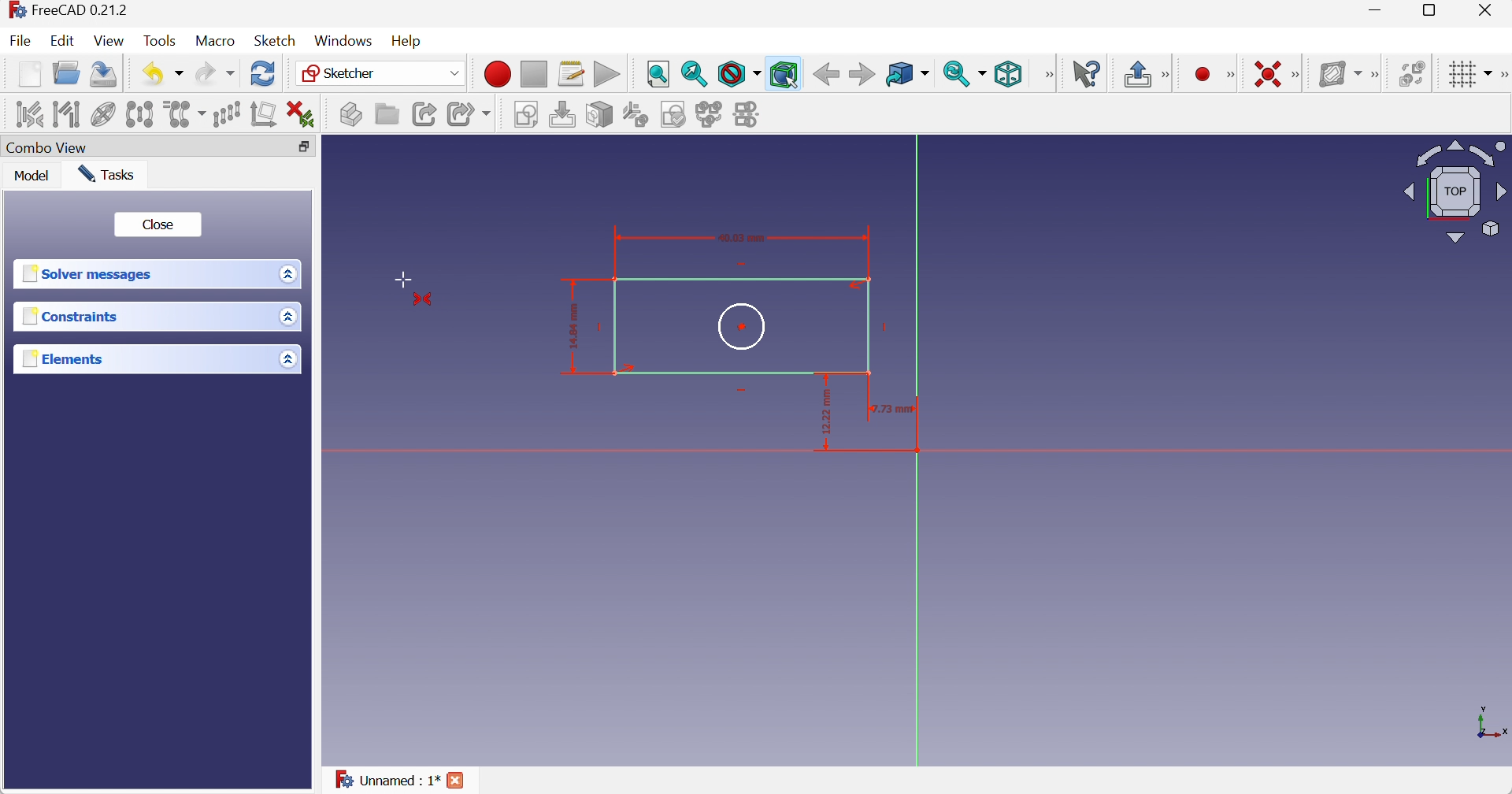 This screenshot has width=1512, height=794. I want to click on Windows, so click(344, 41).